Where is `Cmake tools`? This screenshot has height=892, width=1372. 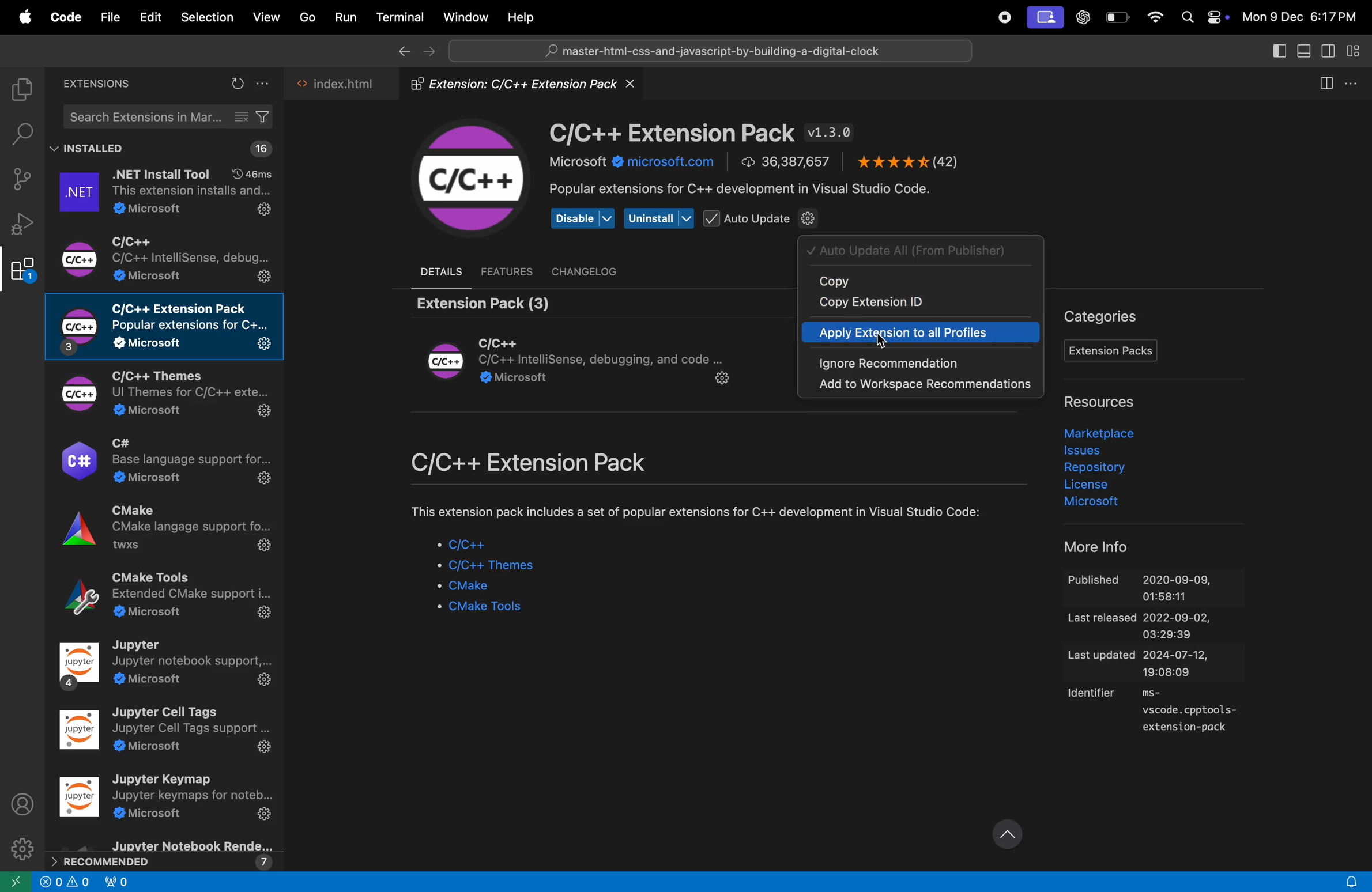 Cmake tools is located at coordinates (496, 609).